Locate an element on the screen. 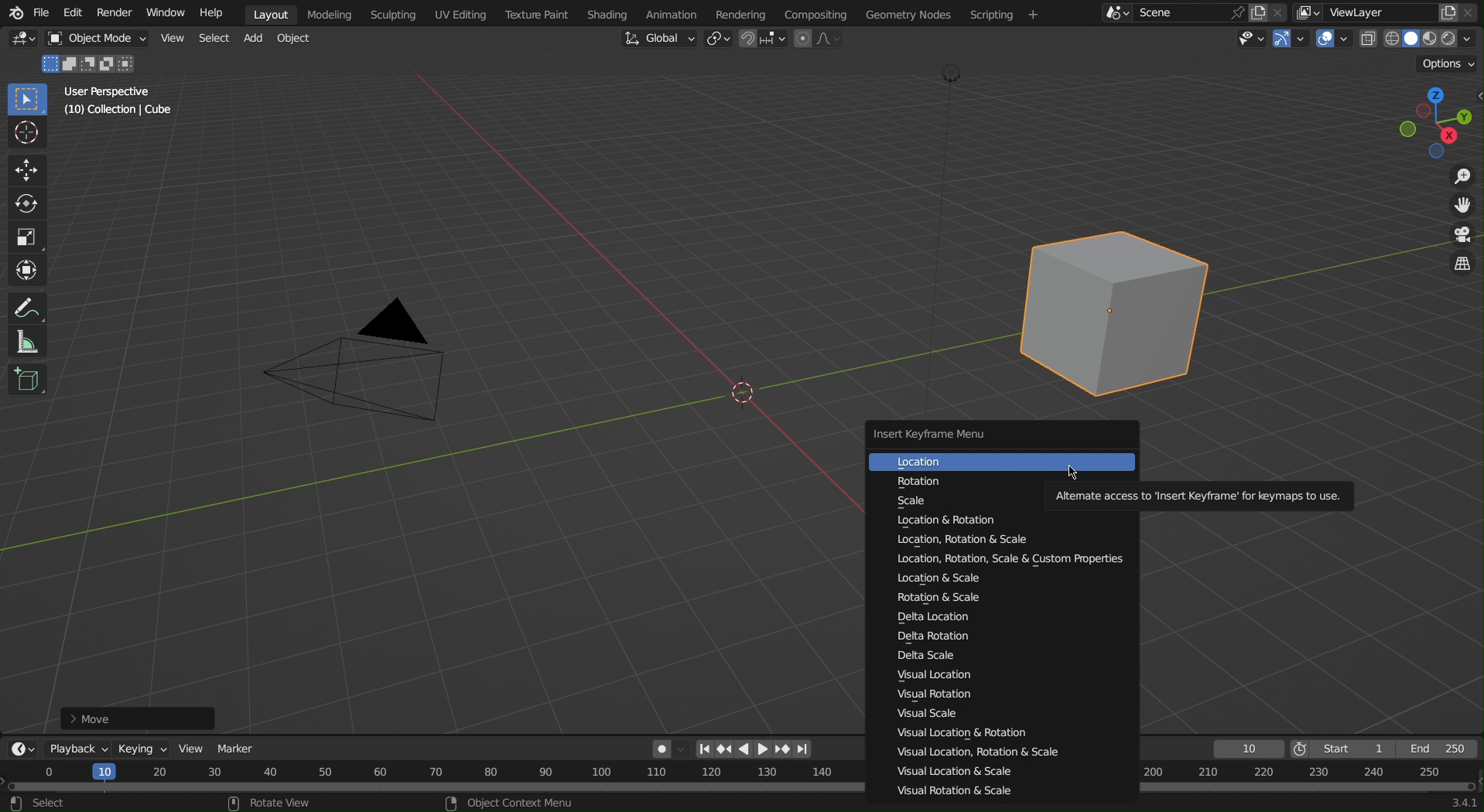 The image size is (1484, 812). Object is located at coordinates (102, 39).